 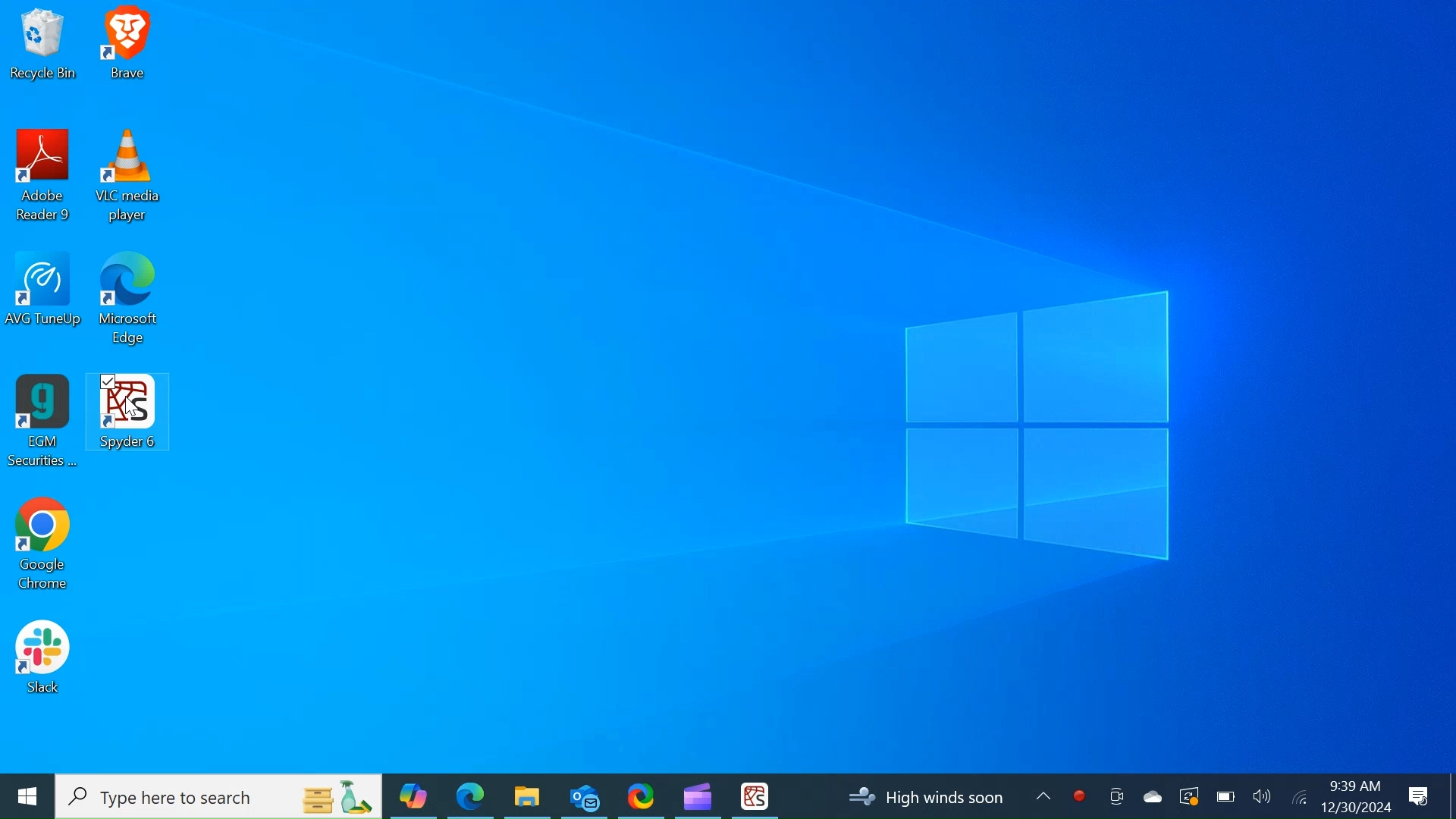 I want to click on Outlook Desktop Icon, so click(x=584, y=795).